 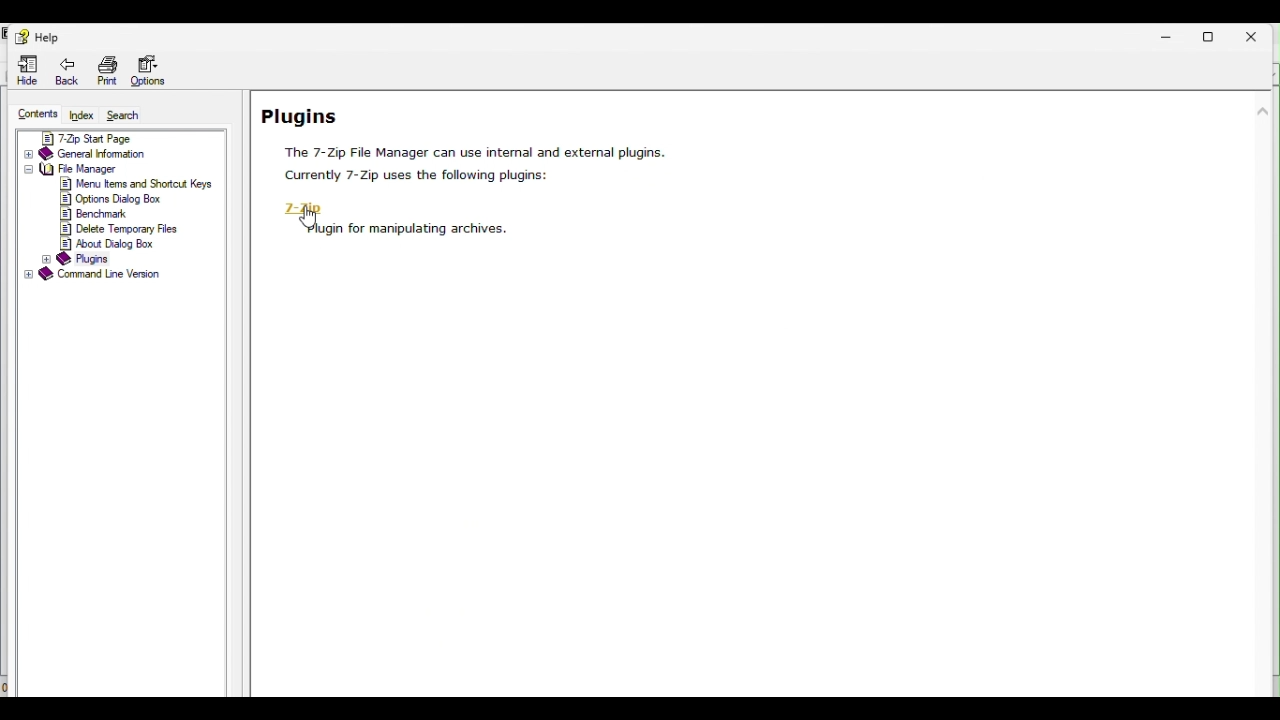 What do you see at coordinates (69, 68) in the screenshot?
I see `back` at bounding box center [69, 68].